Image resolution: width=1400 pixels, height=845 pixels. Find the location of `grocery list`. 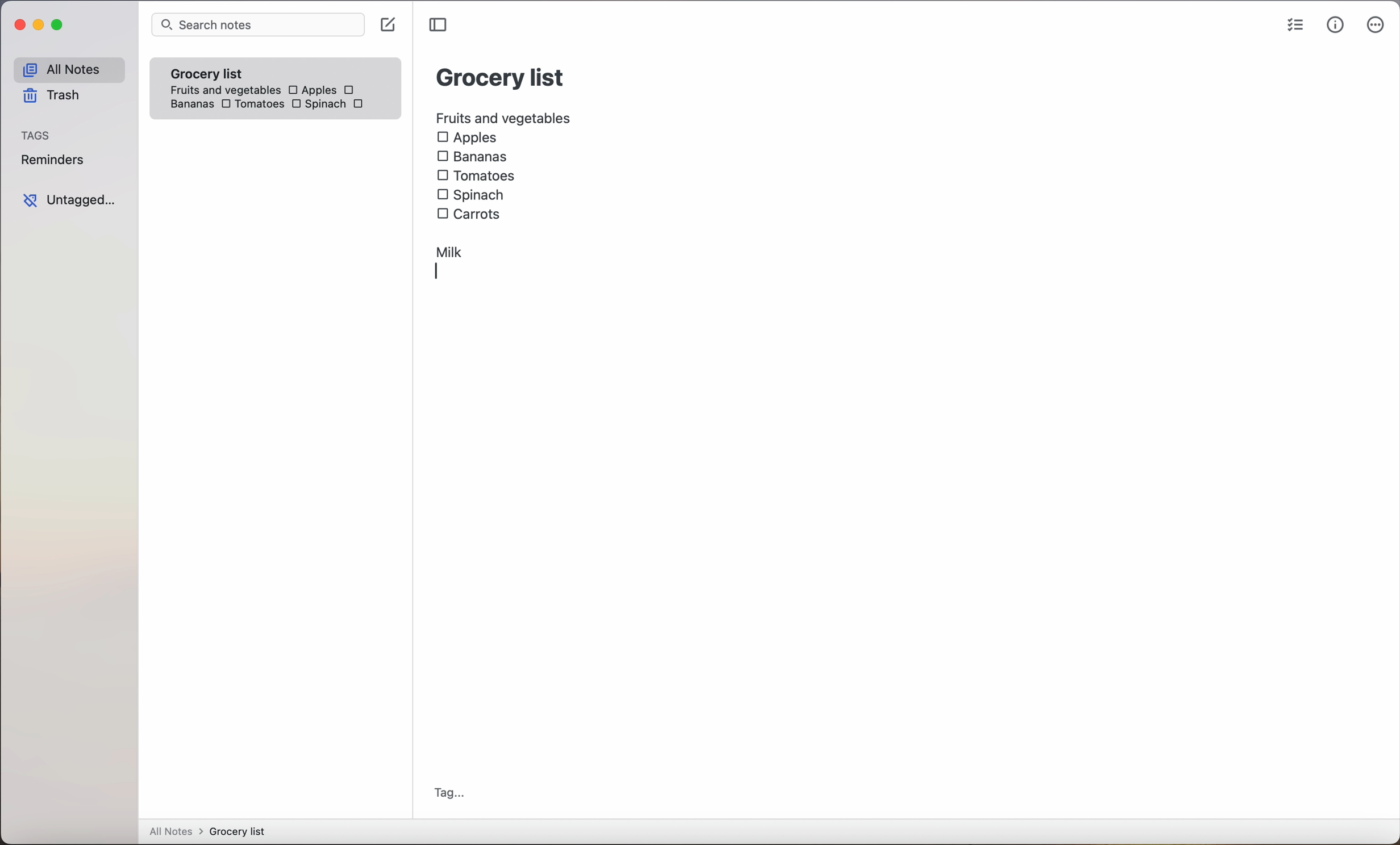

grocery list is located at coordinates (501, 76).